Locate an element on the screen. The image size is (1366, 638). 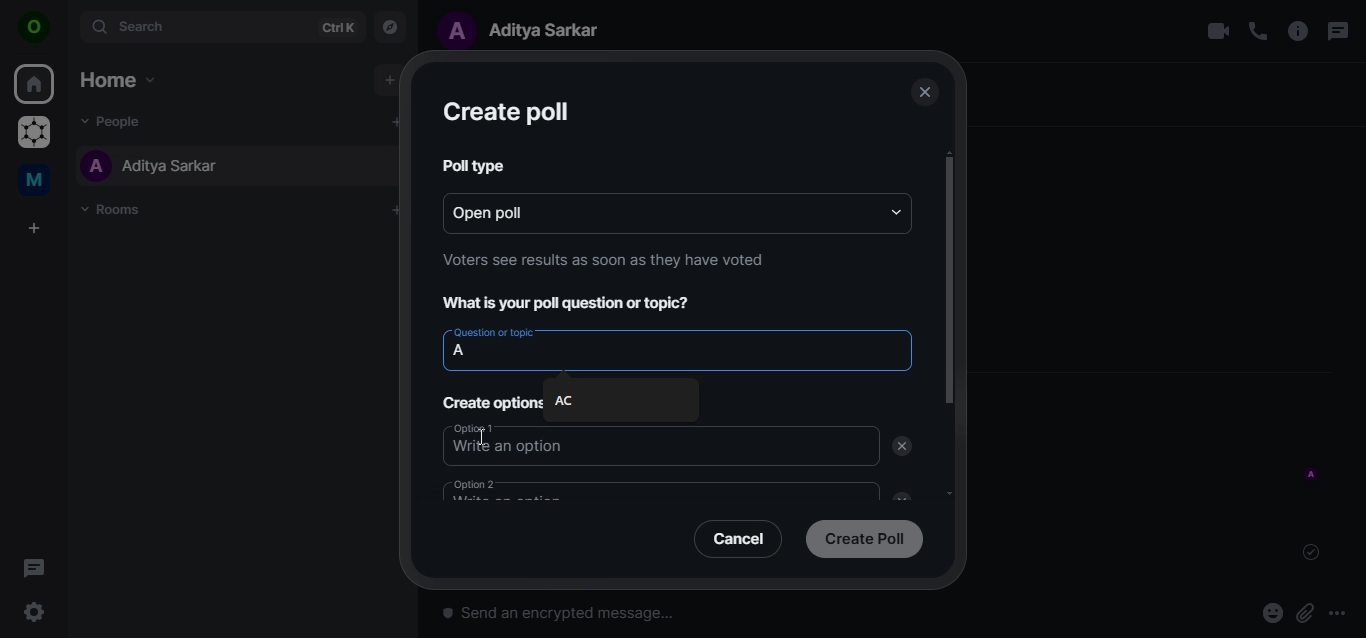
graoheneos is located at coordinates (34, 134).